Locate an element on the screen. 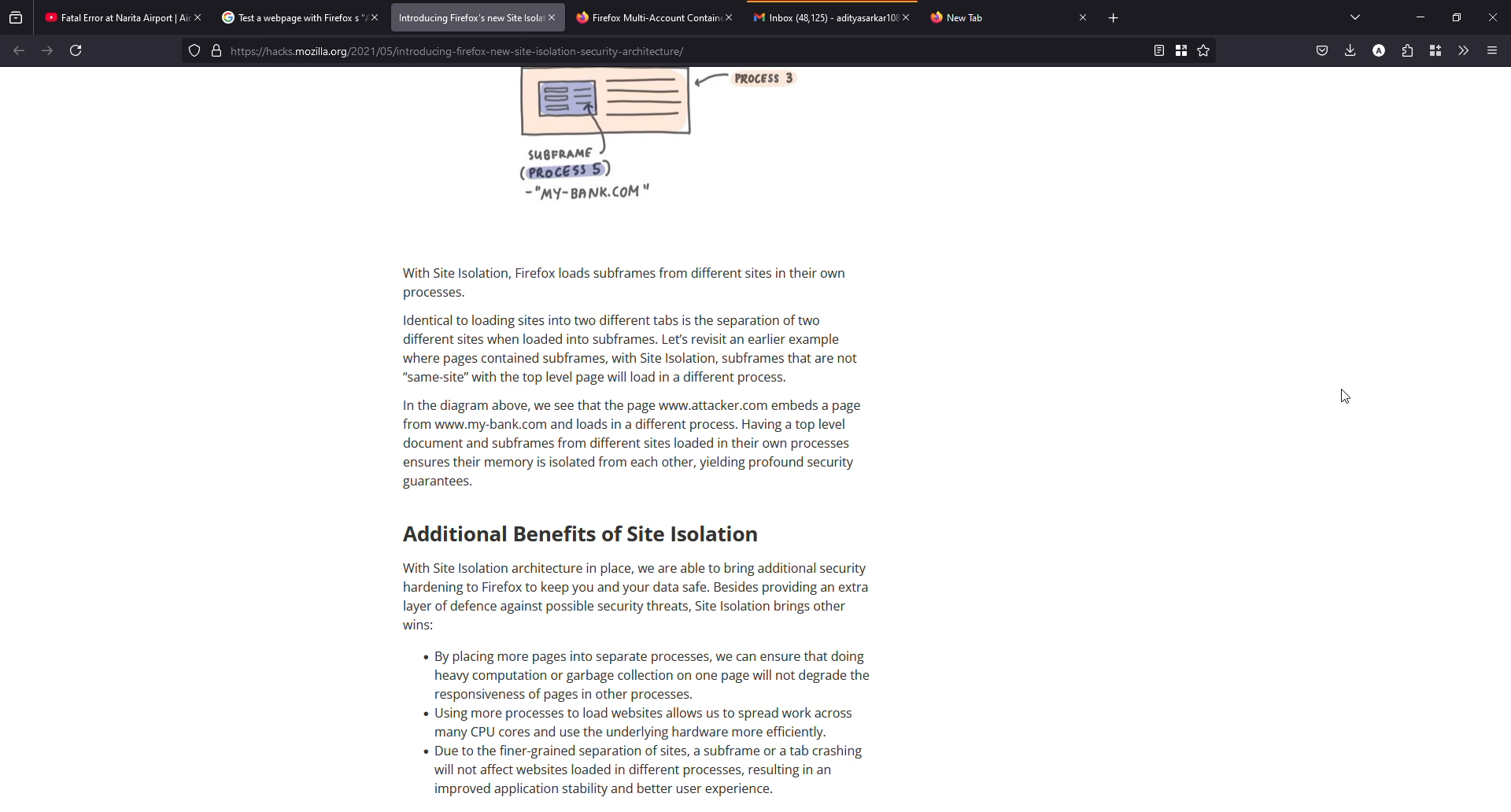  search is located at coordinates (686, 52).